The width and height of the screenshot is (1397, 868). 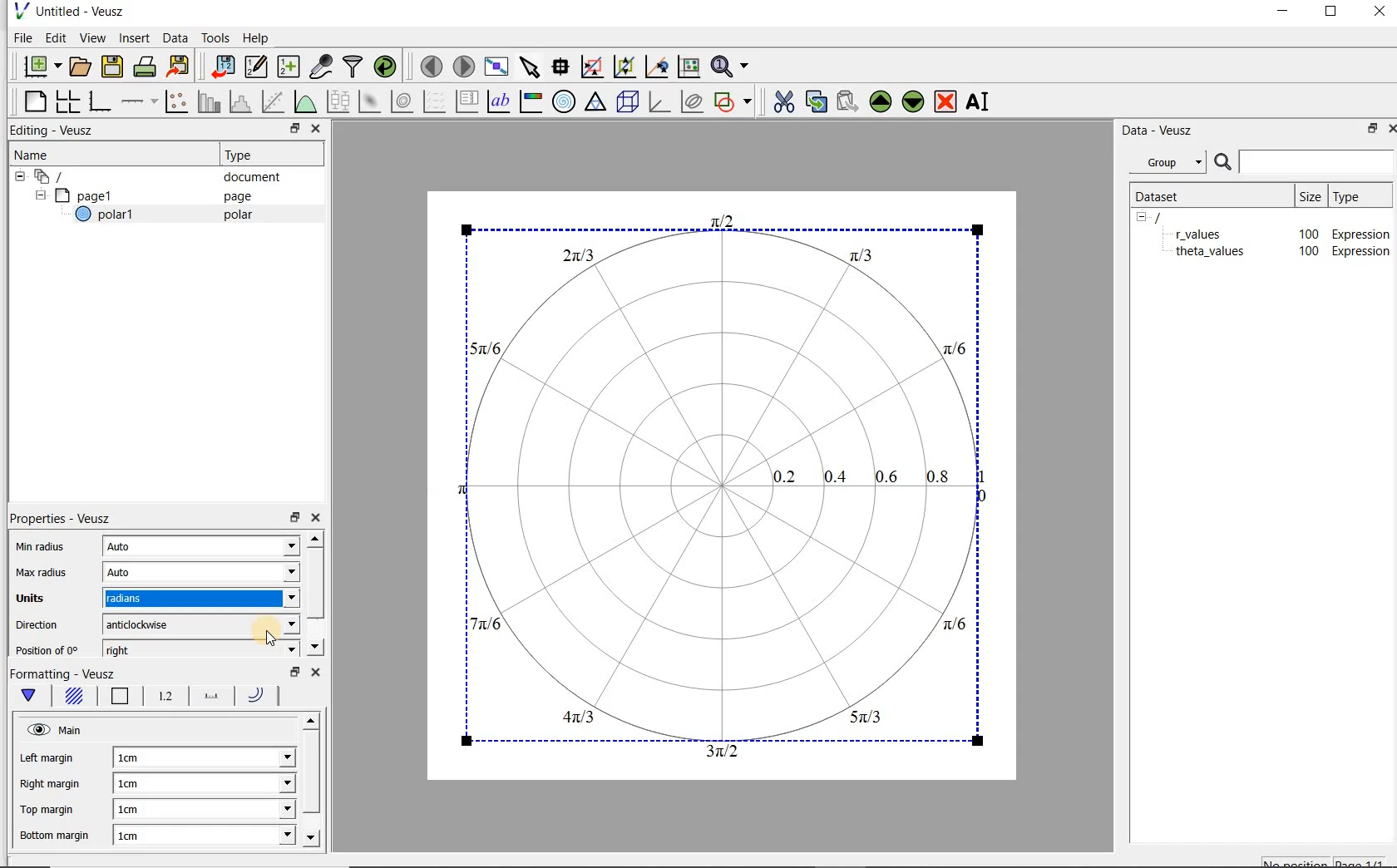 I want to click on Min radius, so click(x=45, y=545).